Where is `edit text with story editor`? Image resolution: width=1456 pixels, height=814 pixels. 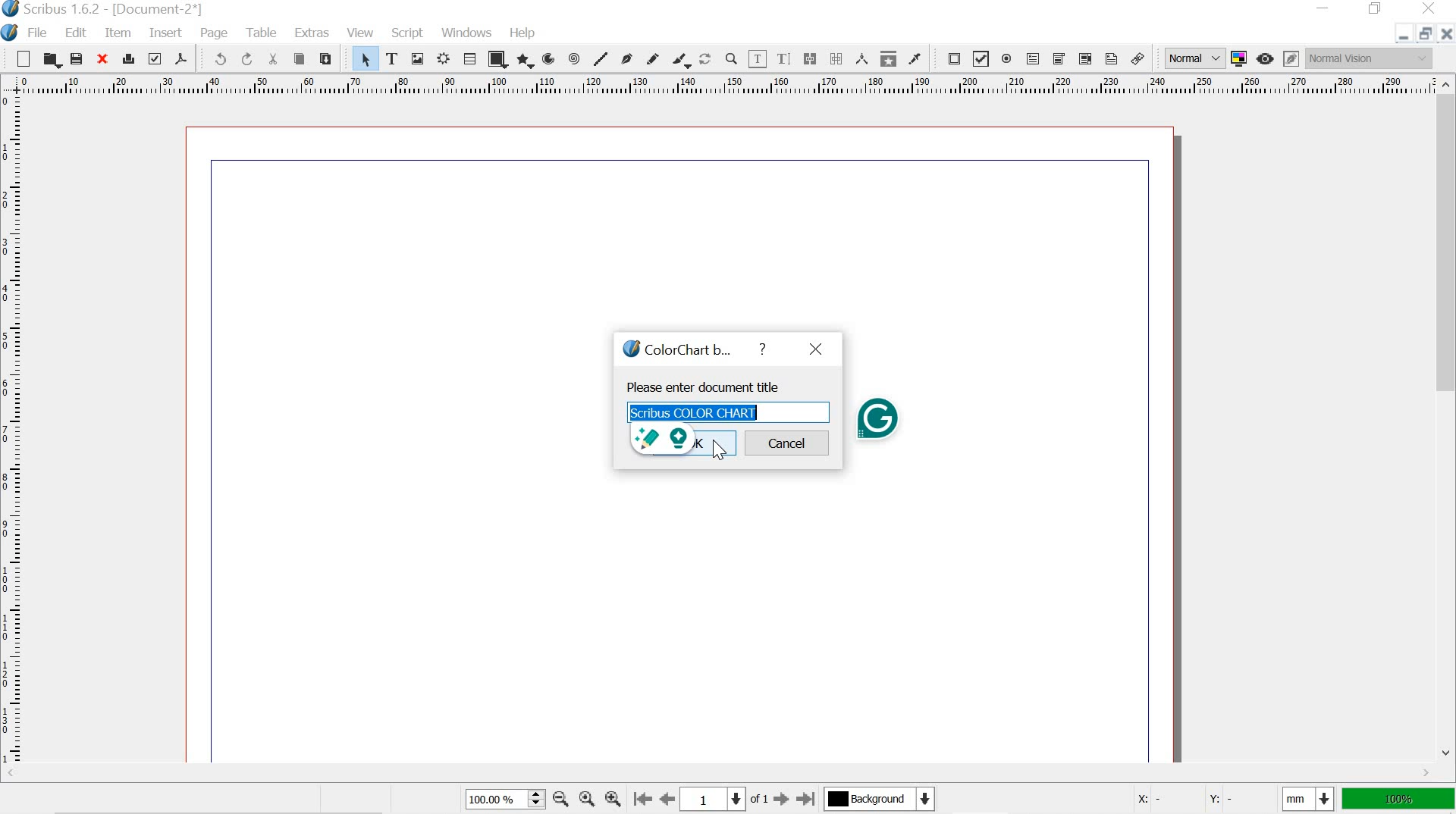 edit text with story editor is located at coordinates (783, 60).